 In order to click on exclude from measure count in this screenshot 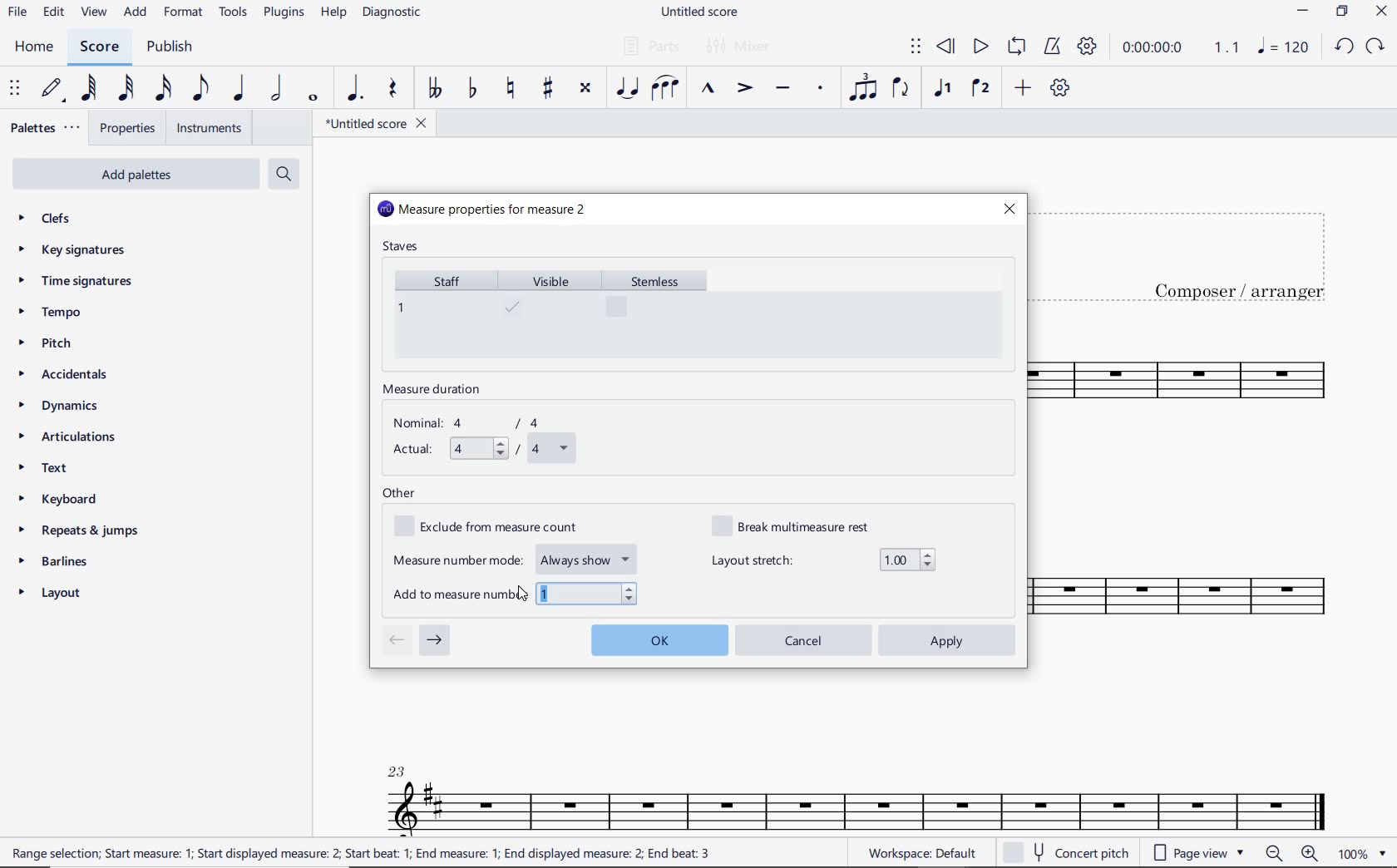, I will do `click(496, 527)`.